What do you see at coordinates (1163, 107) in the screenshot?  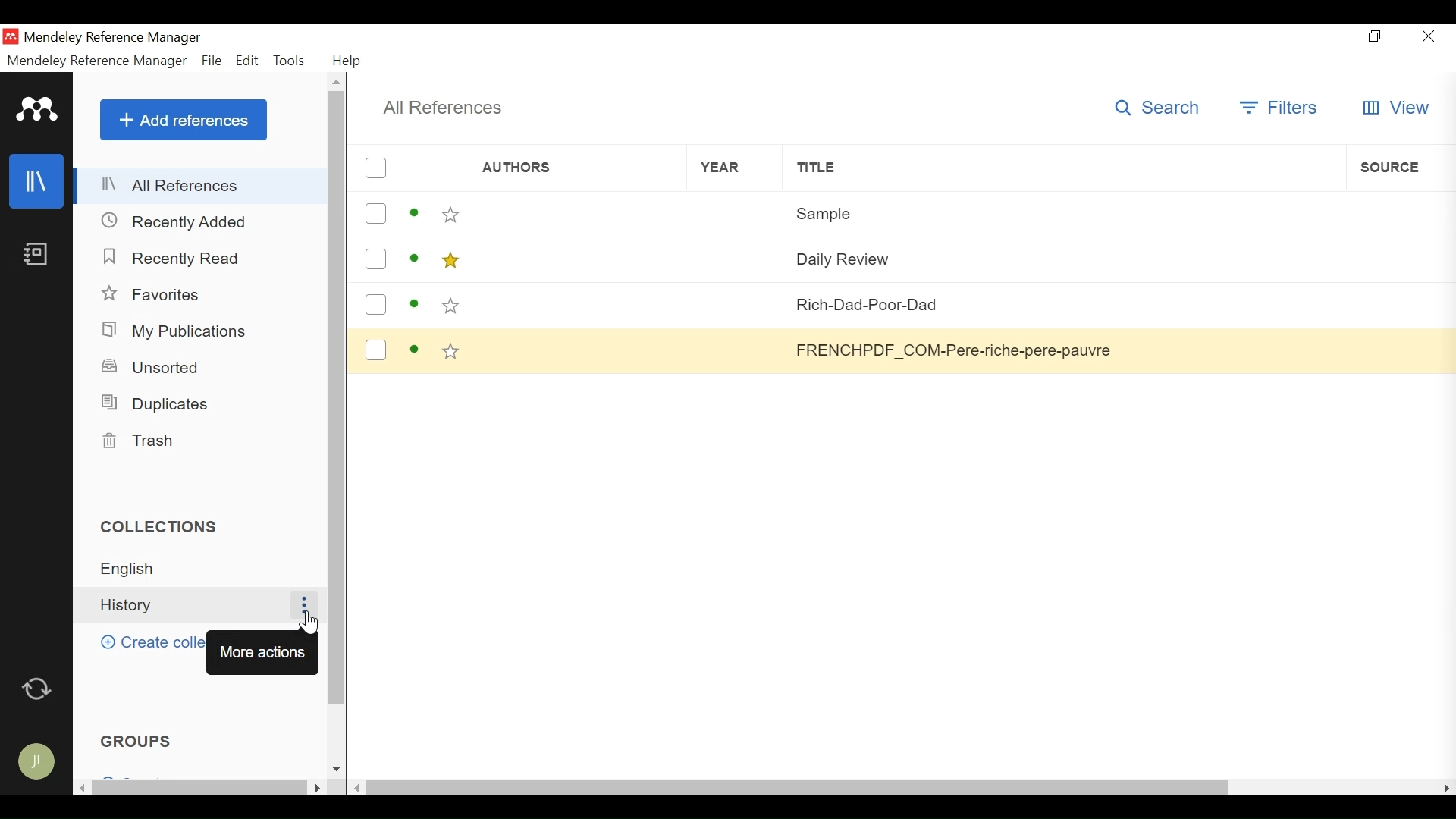 I see `Search` at bounding box center [1163, 107].